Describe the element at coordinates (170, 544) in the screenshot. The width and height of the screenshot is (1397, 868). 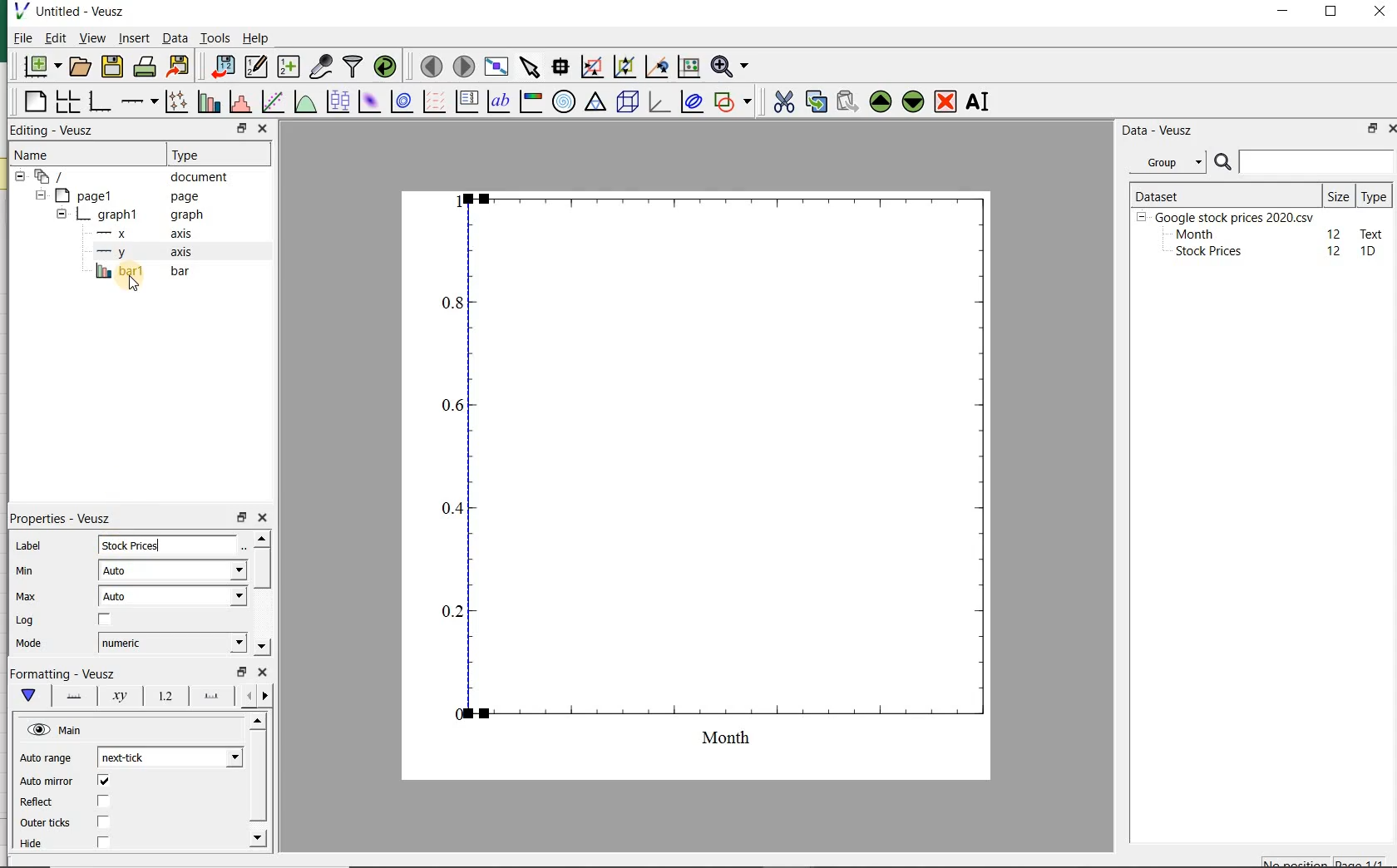
I see `input field` at that location.